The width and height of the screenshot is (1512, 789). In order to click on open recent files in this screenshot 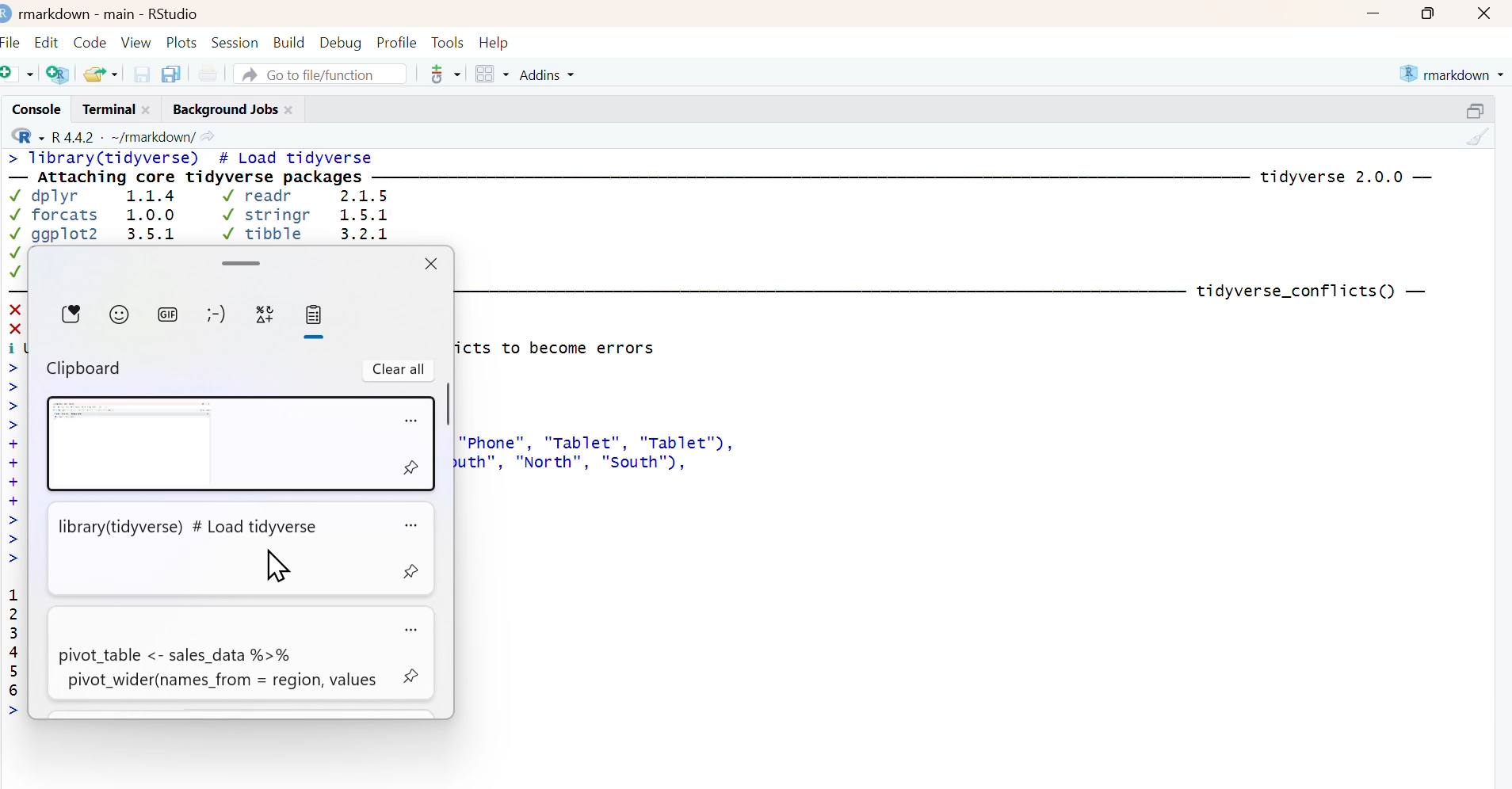, I will do `click(101, 72)`.